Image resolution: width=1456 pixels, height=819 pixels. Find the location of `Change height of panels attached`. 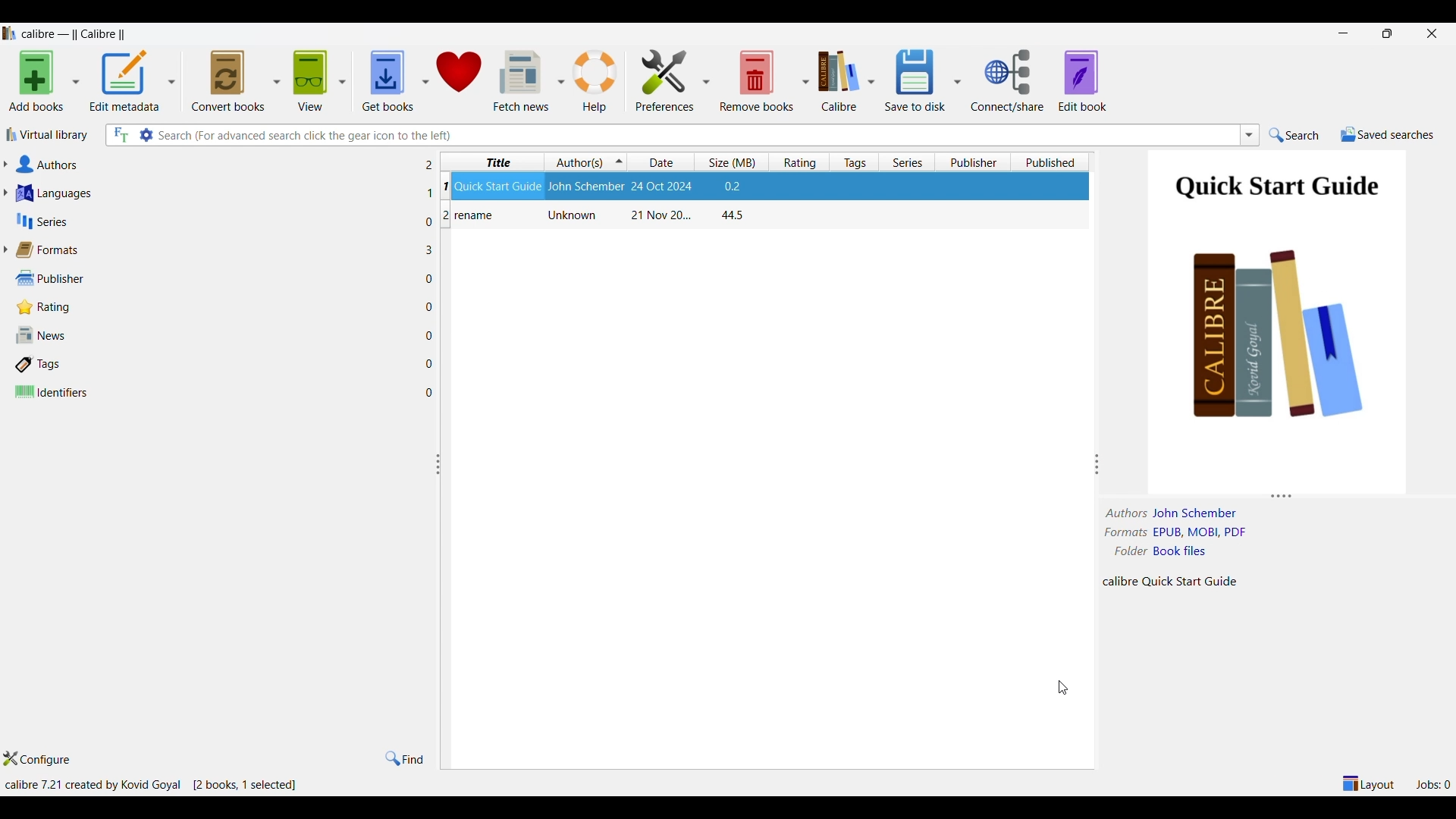

Change height of panels attached is located at coordinates (1266, 496).